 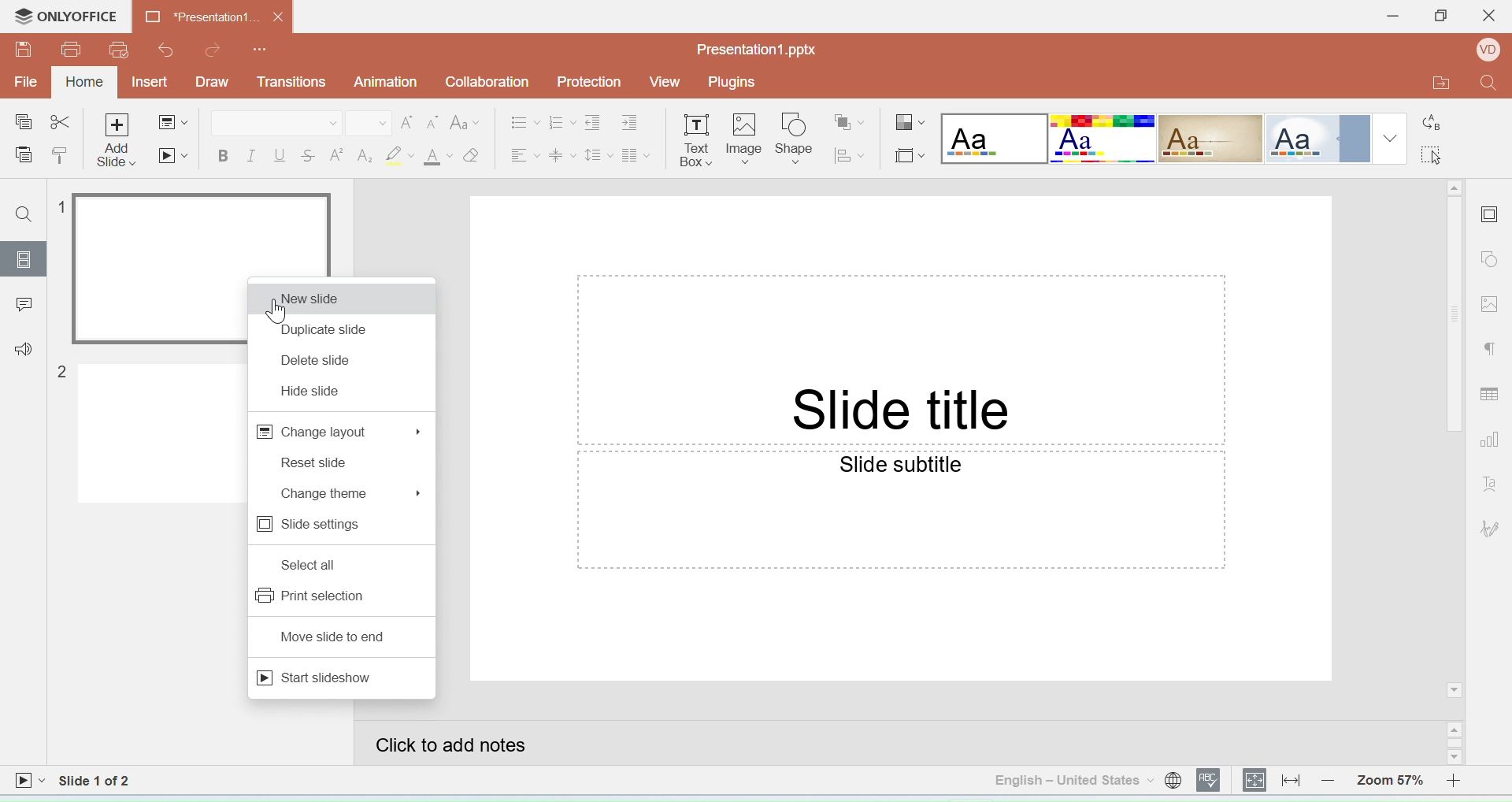 What do you see at coordinates (910, 124) in the screenshot?
I see `Change color theme` at bounding box center [910, 124].